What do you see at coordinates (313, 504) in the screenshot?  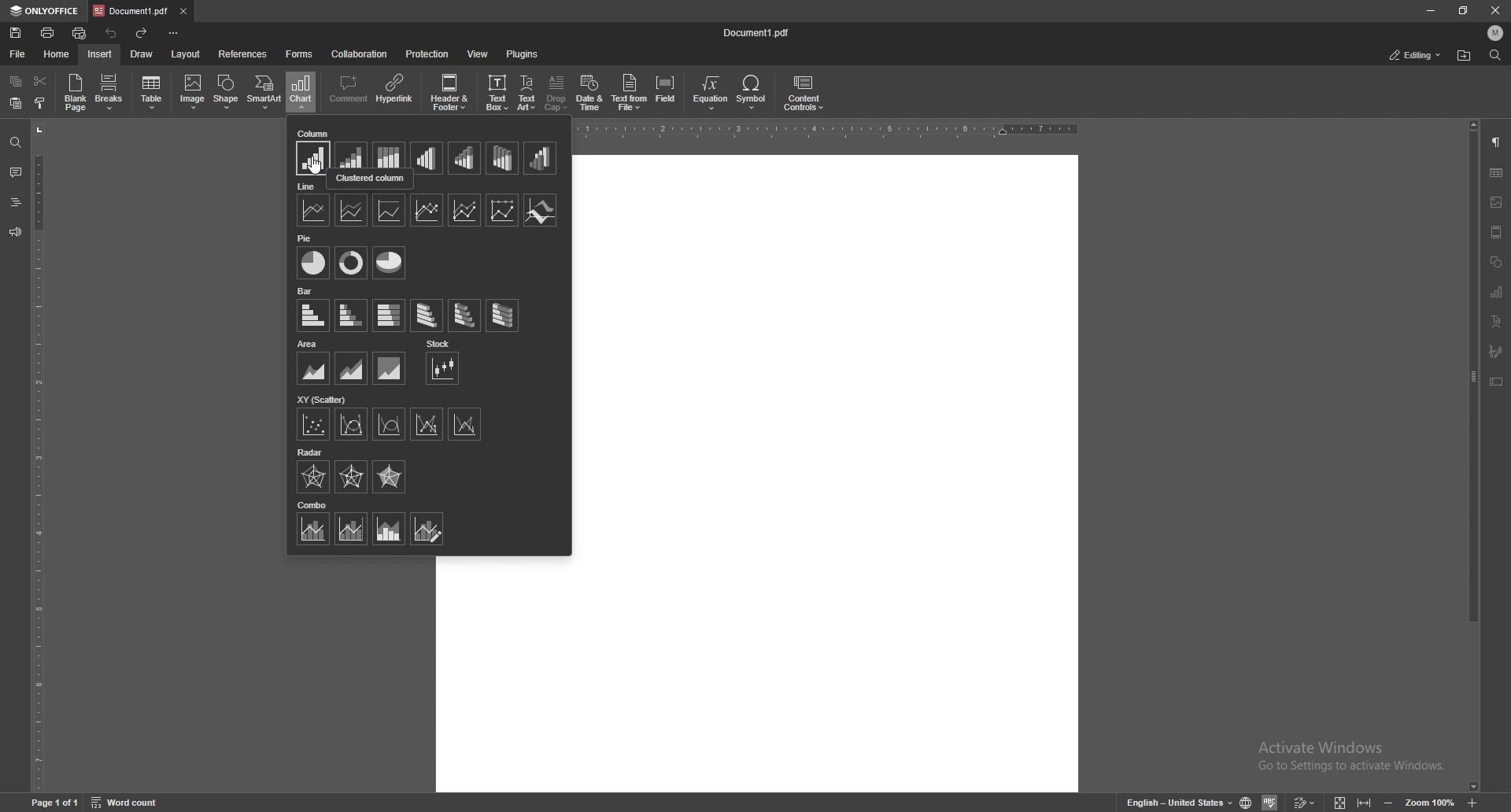 I see `combo` at bounding box center [313, 504].